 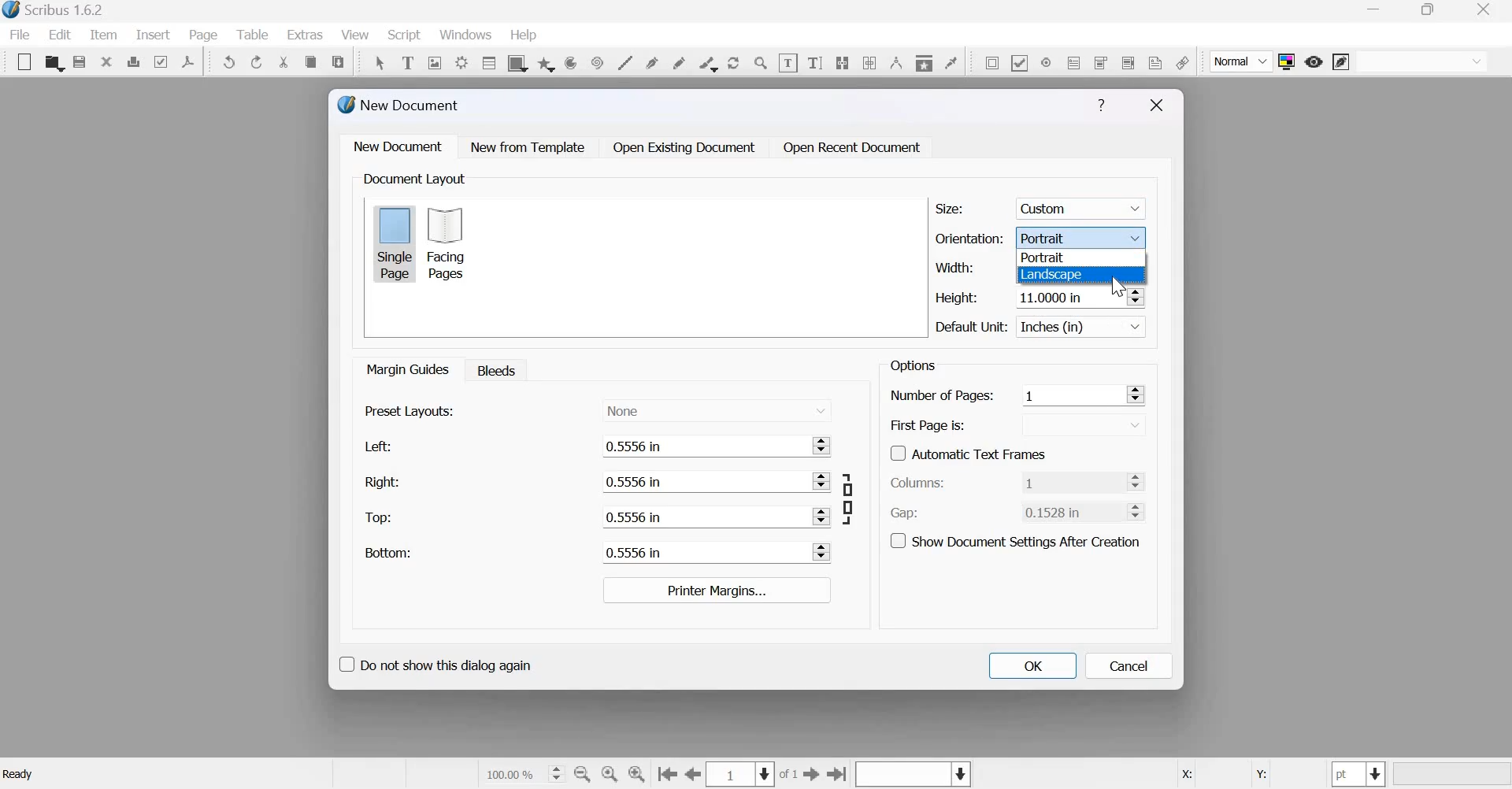 What do you see at coordinates (492, 369) in the screenshot?
I see `Bleeds` at bounding box center [492, 369].